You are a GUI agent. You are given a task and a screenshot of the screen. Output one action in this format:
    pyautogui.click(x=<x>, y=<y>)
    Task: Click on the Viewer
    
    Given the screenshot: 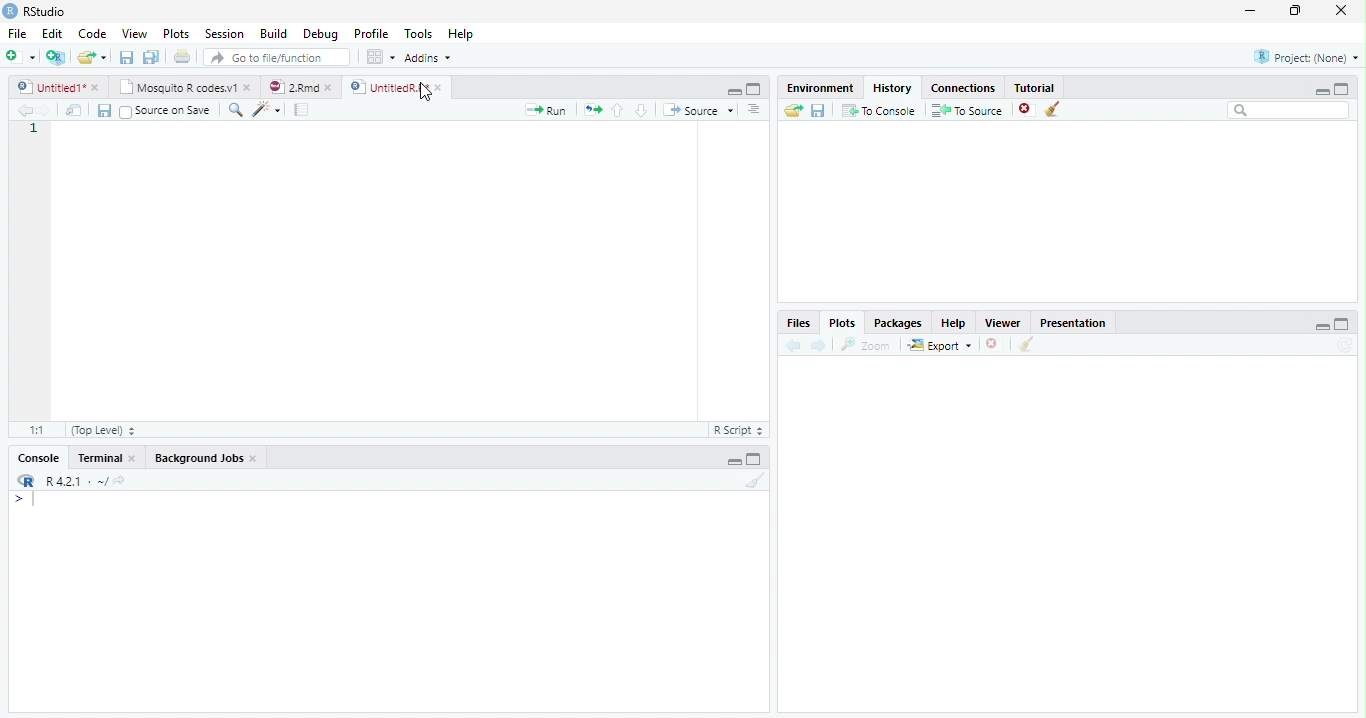 What is the action you would take?
    pyautogui.click(x=1005, y=322)
    